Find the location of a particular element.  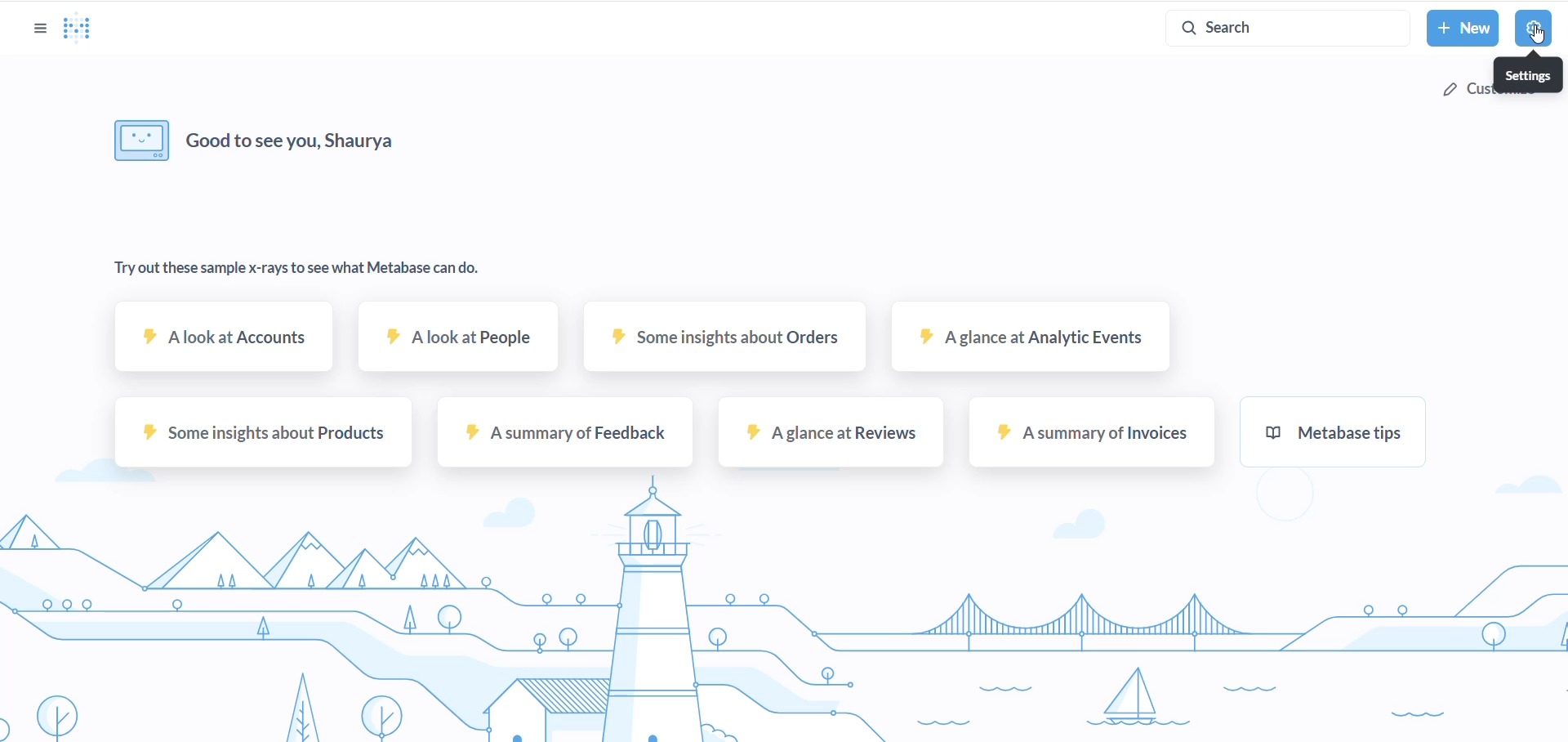

A look at accounts is located at coordinates (226, 345).